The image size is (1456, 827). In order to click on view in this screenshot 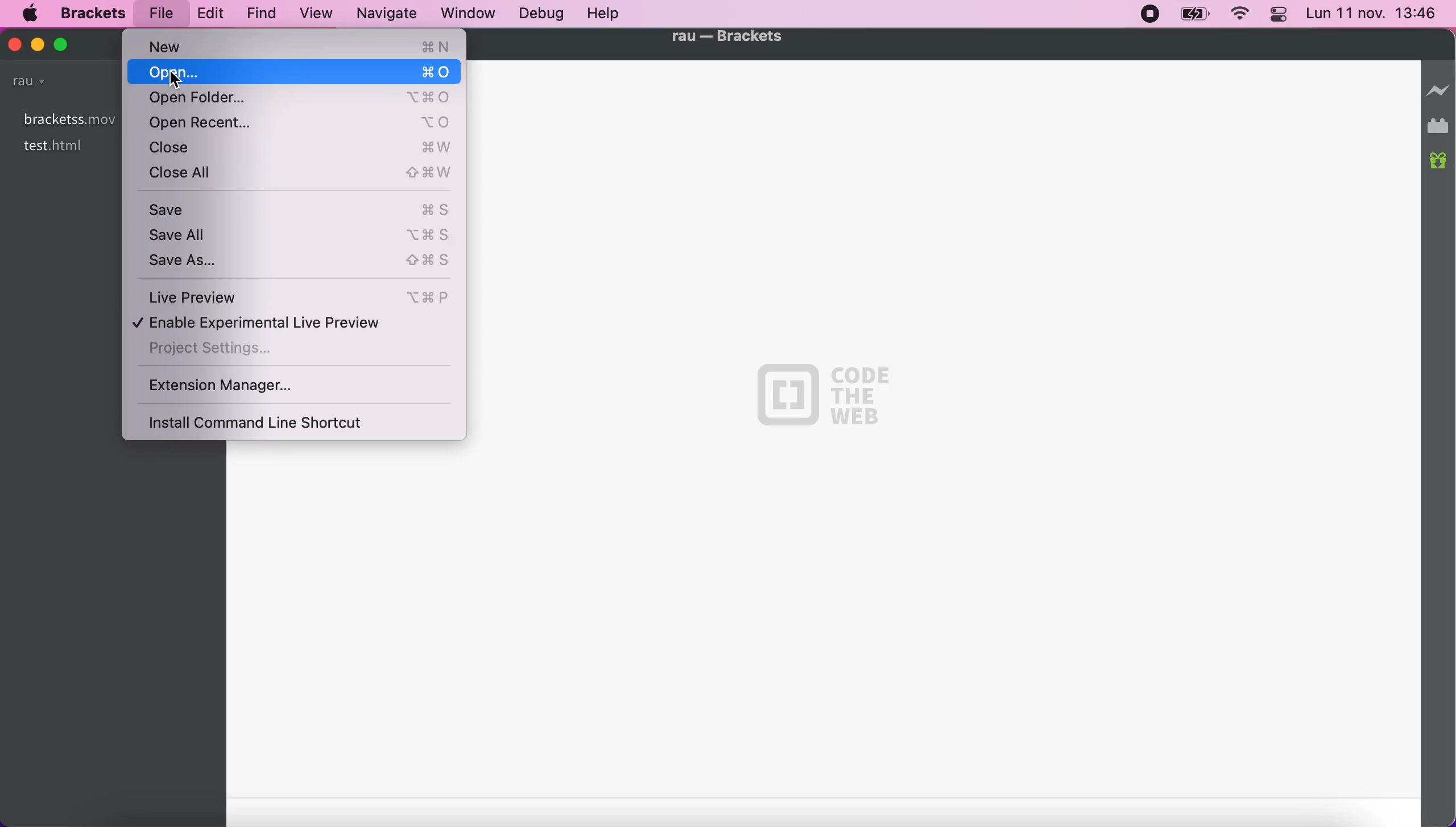, I will do `click(317, 15)`.